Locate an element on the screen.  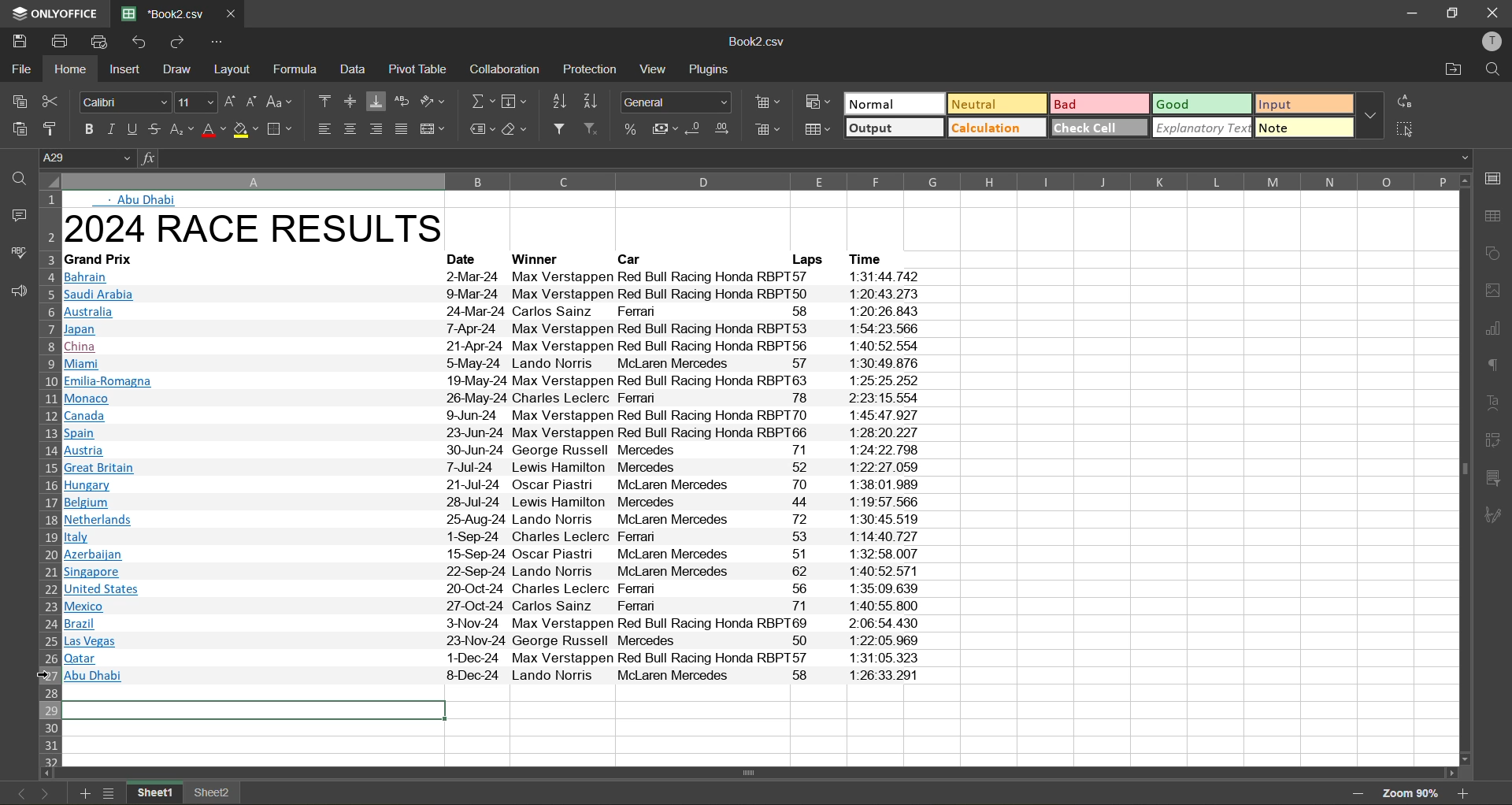
text info is located at coordinates (500, 432).